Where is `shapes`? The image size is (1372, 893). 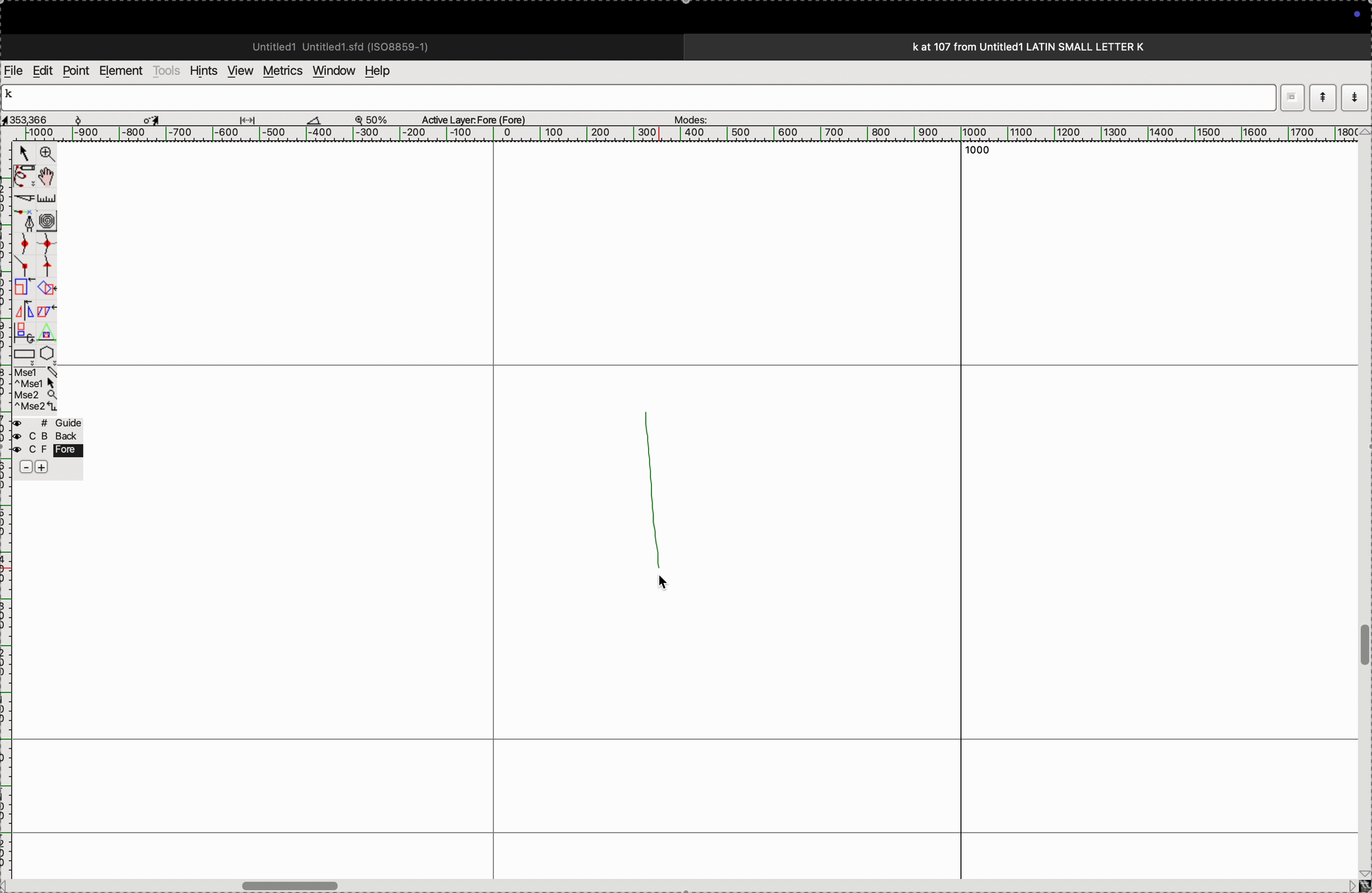 shapes is located at coordinates (46, 288).